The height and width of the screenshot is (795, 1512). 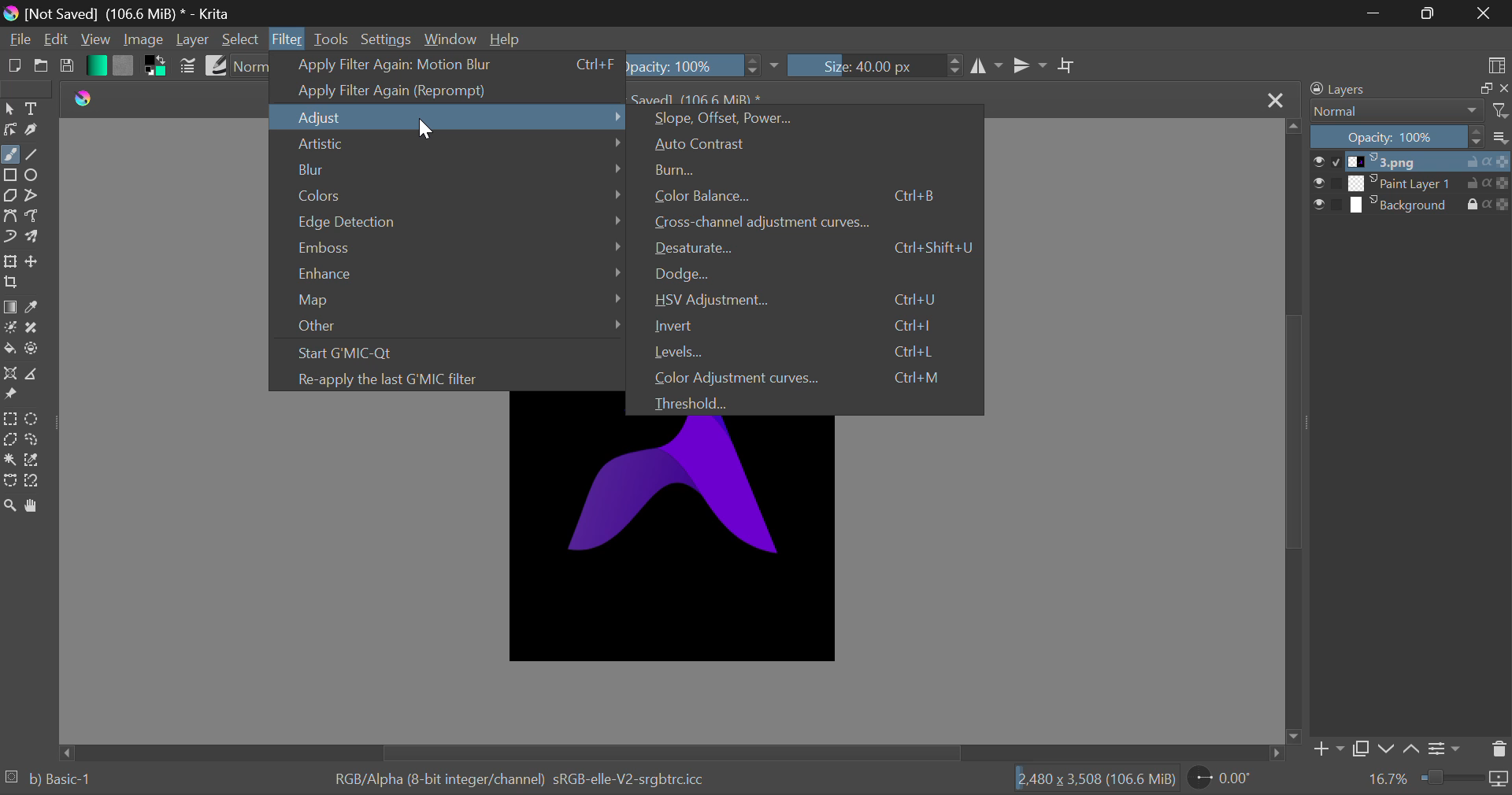 What do you see at coordinates (1030, 65) in the screenshot?
I see `Horizontal Mirror Flip` at bounding box center [1030, 65].